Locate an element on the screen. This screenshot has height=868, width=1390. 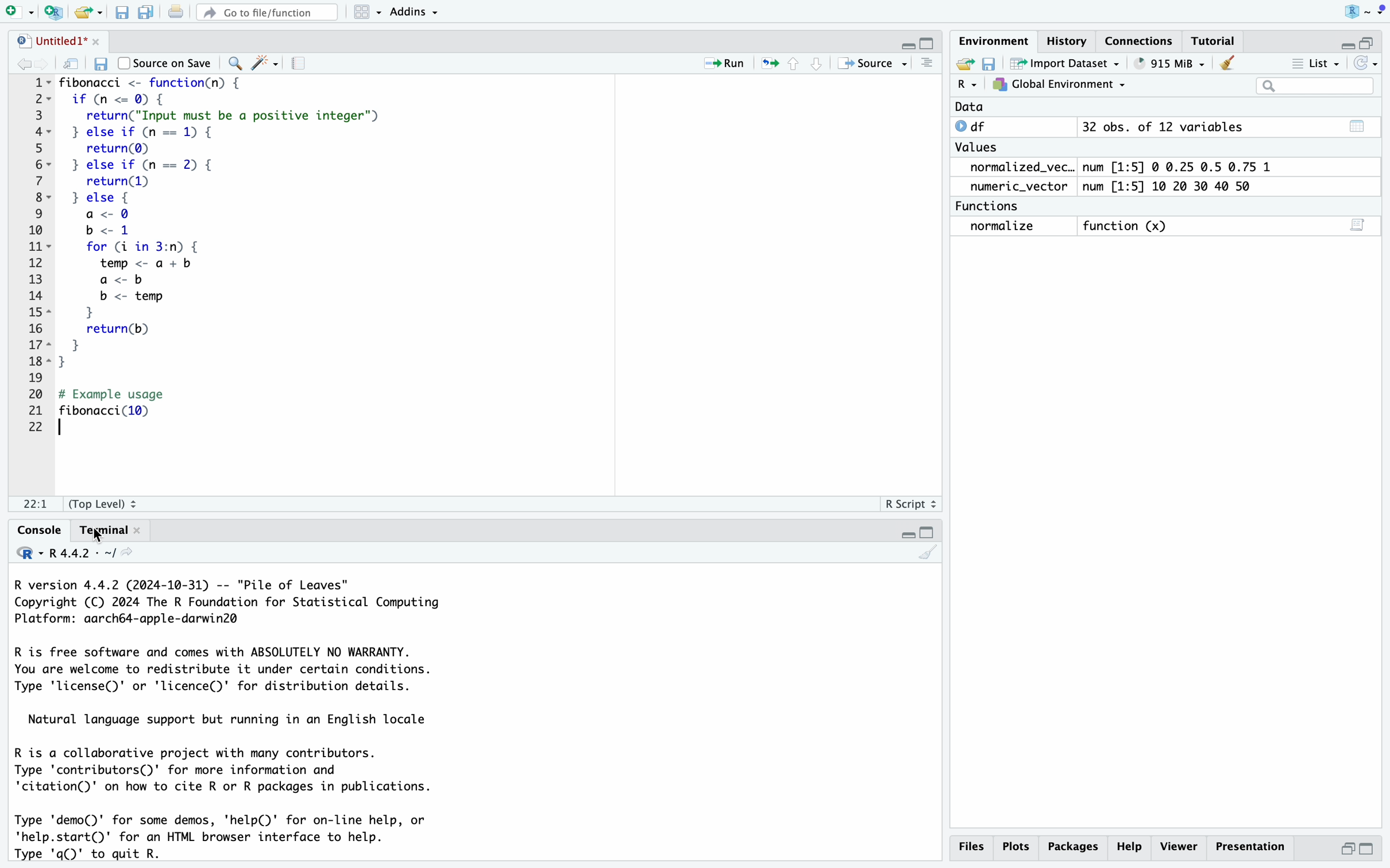
table is located at coordinates (1360, 125).